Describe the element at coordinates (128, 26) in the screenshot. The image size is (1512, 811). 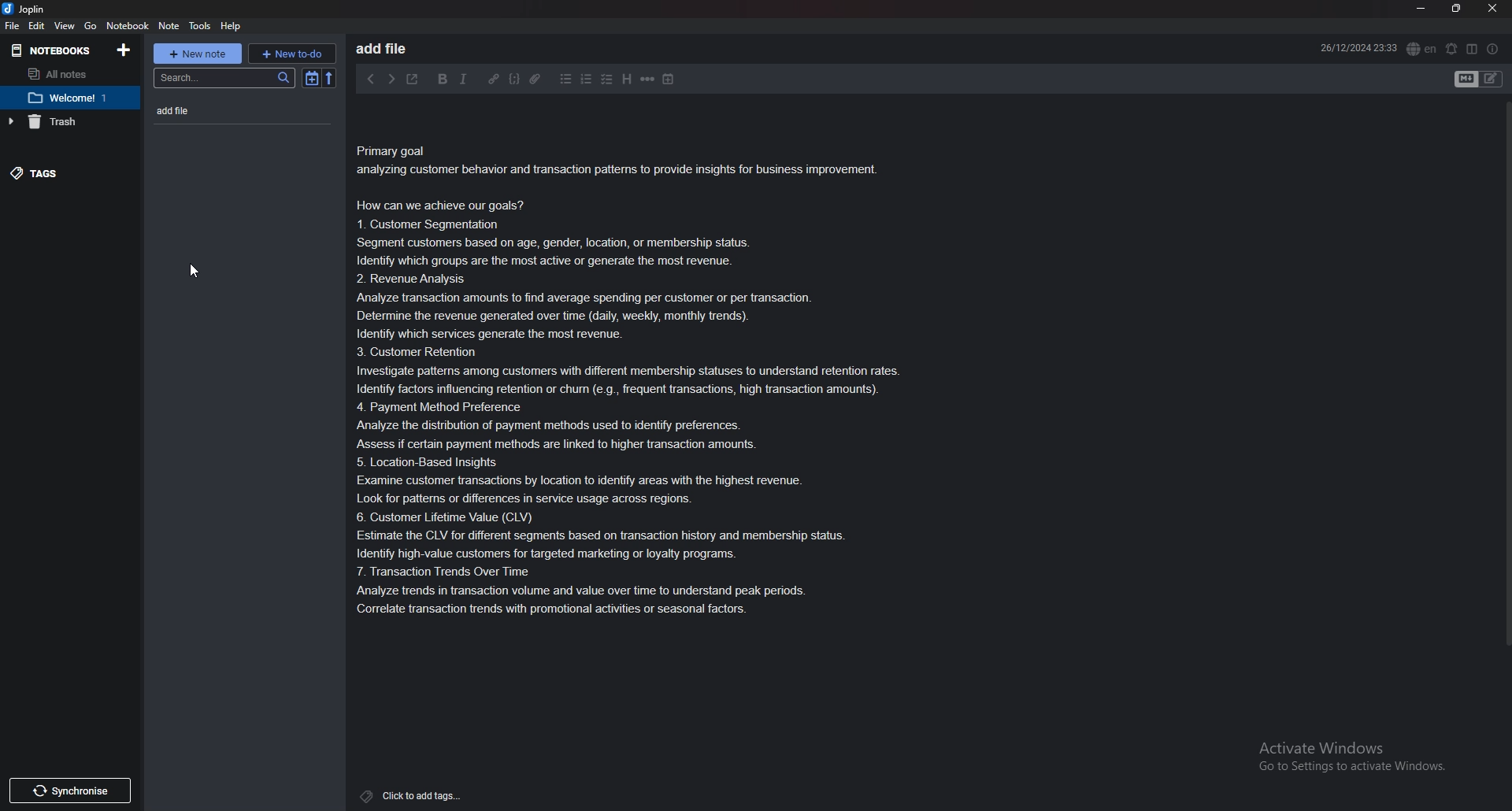
I see `Notebook` at that location.